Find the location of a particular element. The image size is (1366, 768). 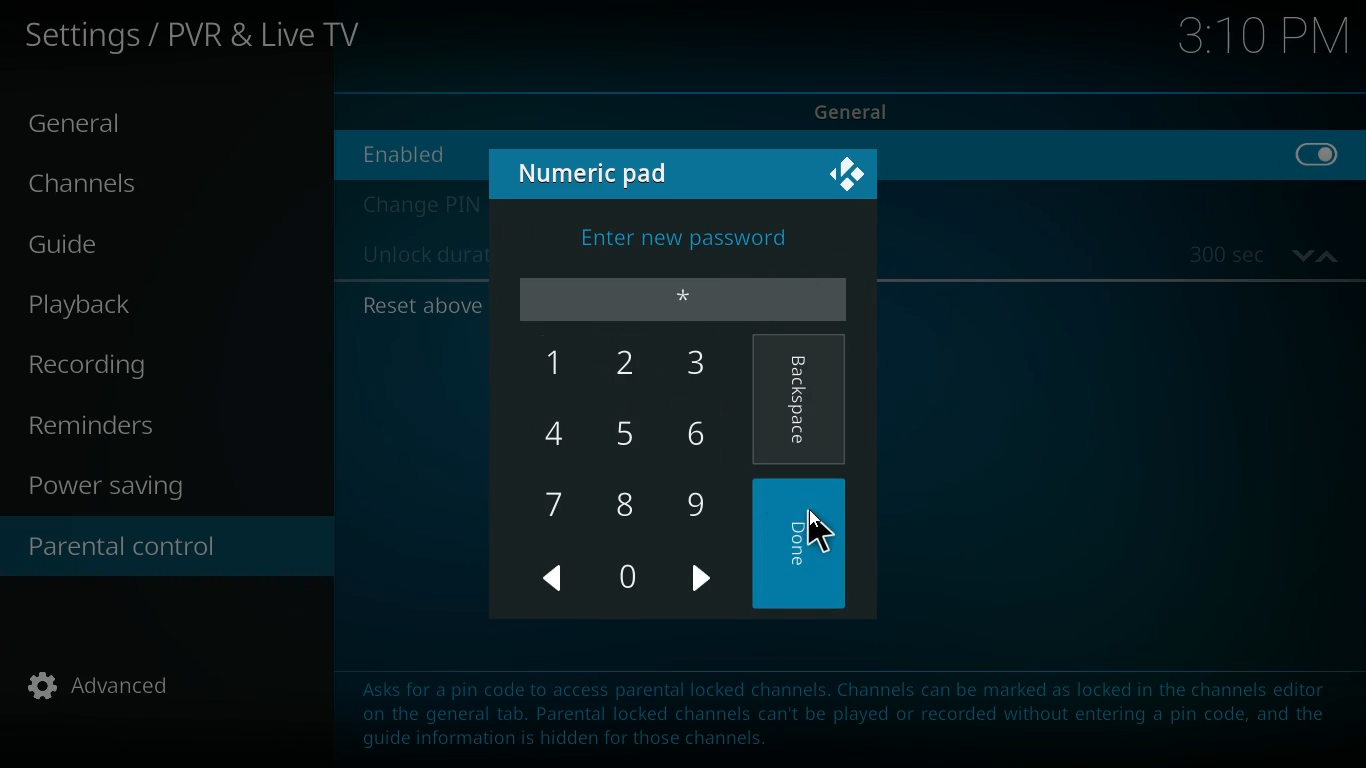

palyback is located at coordinates (102, 305).